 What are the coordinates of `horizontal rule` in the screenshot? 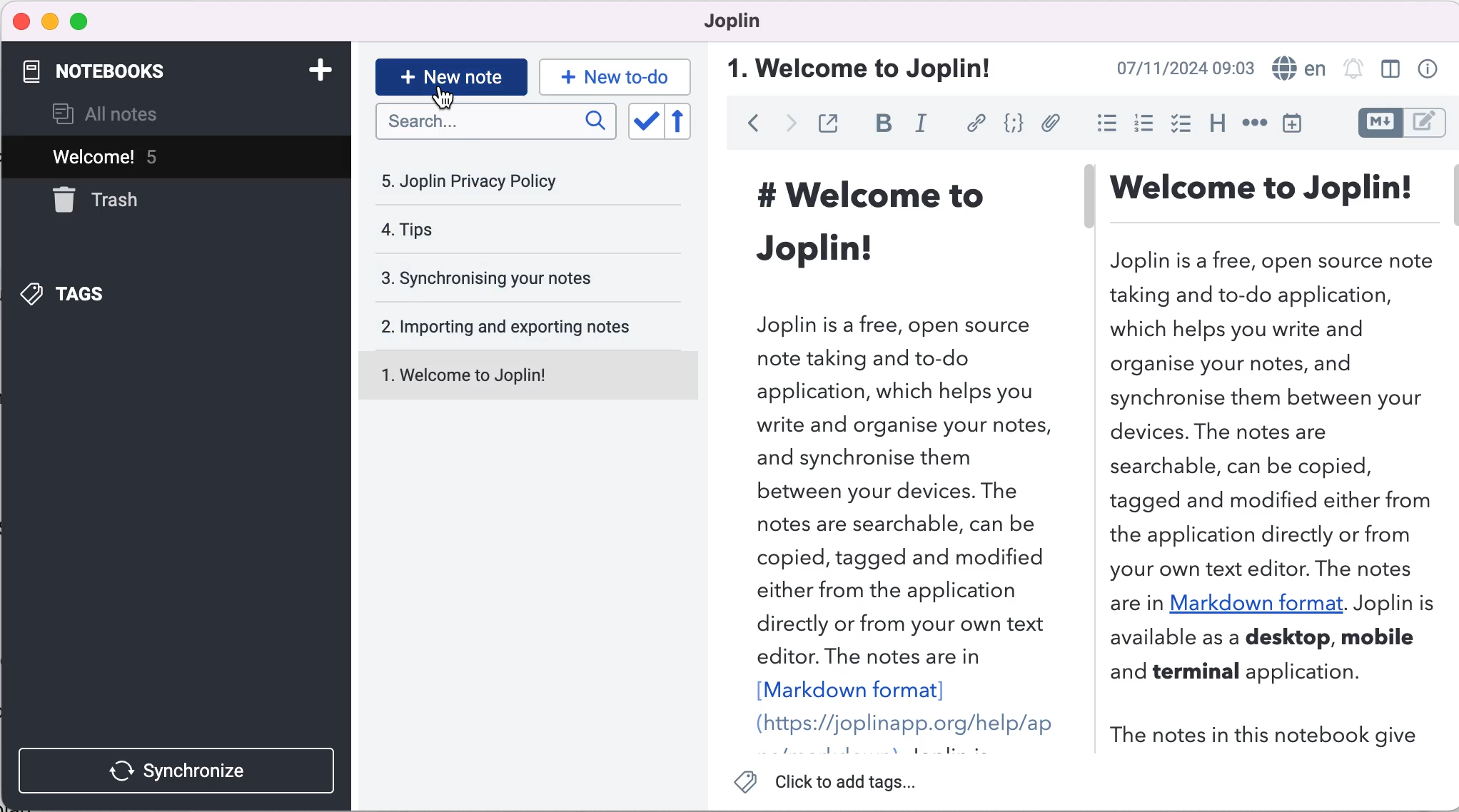 It's located at (1252, 123).